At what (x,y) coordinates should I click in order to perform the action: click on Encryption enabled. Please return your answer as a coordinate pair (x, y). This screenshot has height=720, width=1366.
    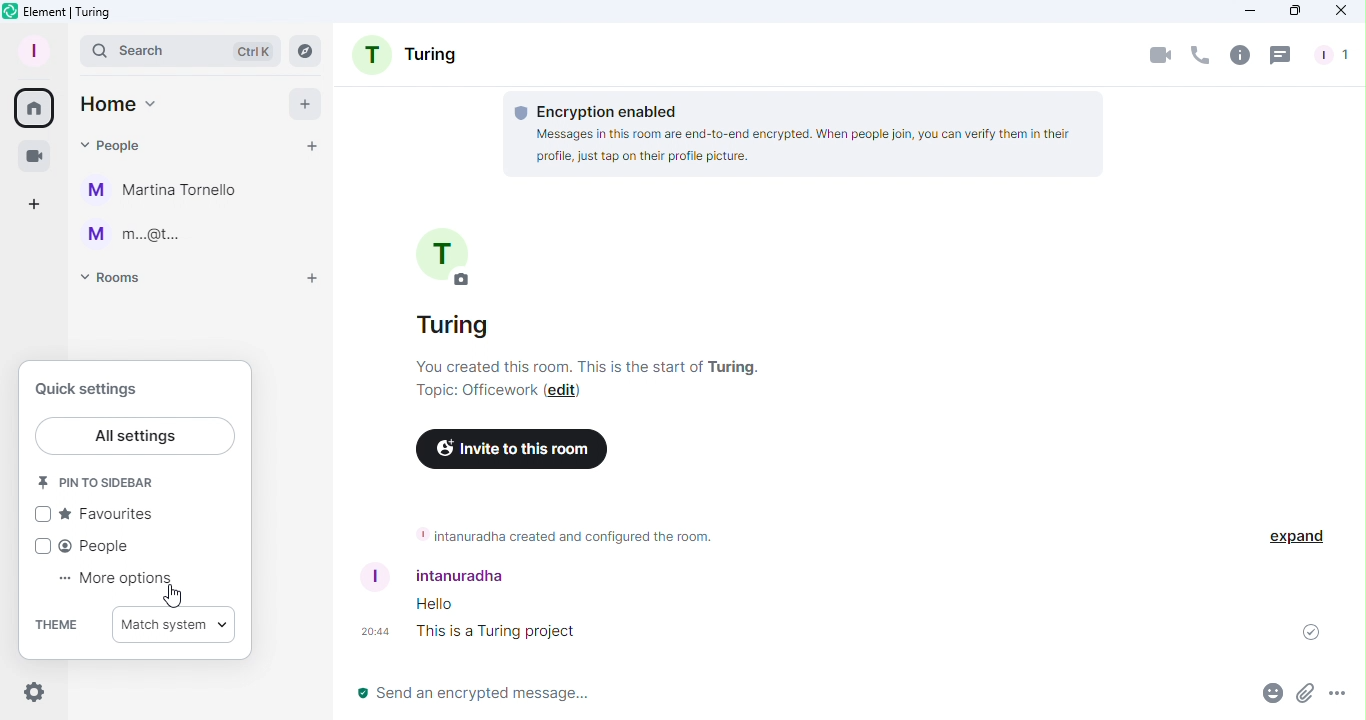
    Looking at the image, I should click on (810, 135).